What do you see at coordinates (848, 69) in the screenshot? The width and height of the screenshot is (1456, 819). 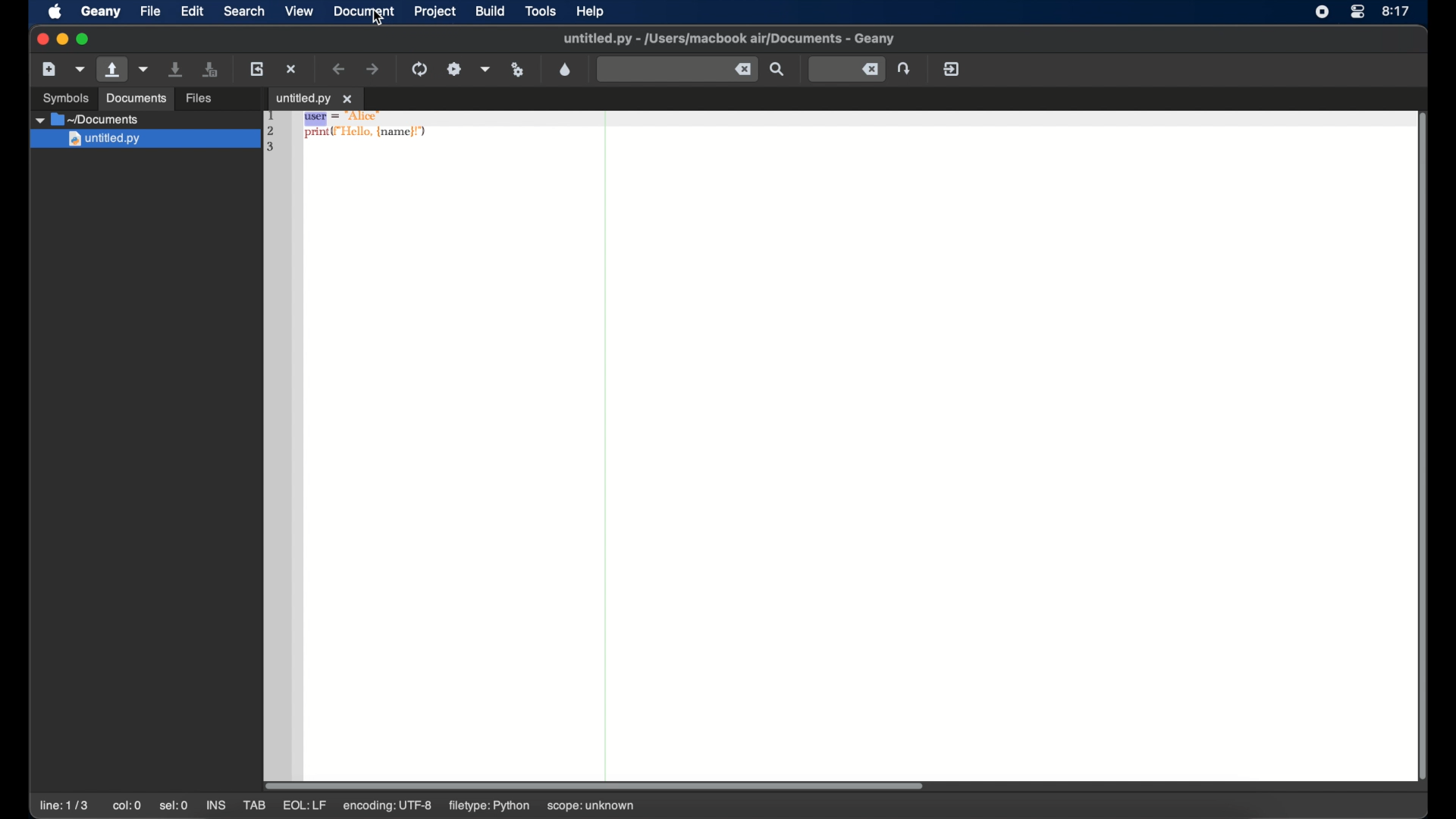 I see `jump to entered line number` at bounding box center [848, 69].